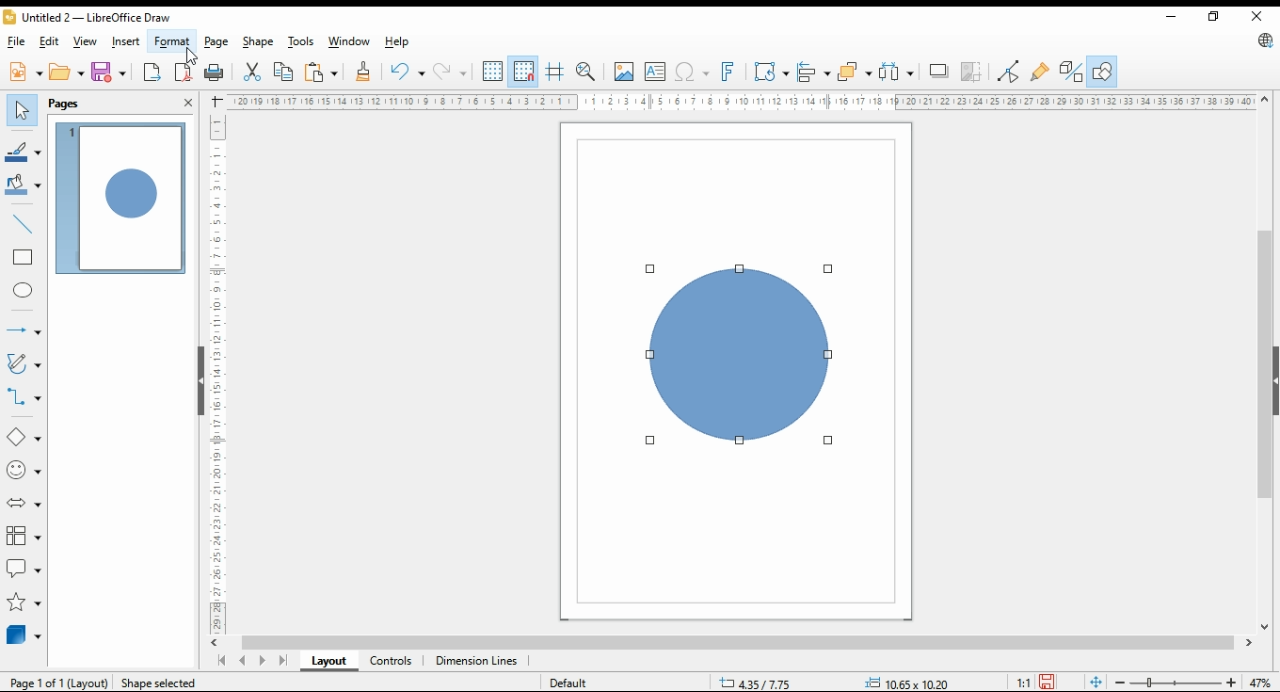  I want to click on Page 1 of 1 (layout), so click(60, 684).